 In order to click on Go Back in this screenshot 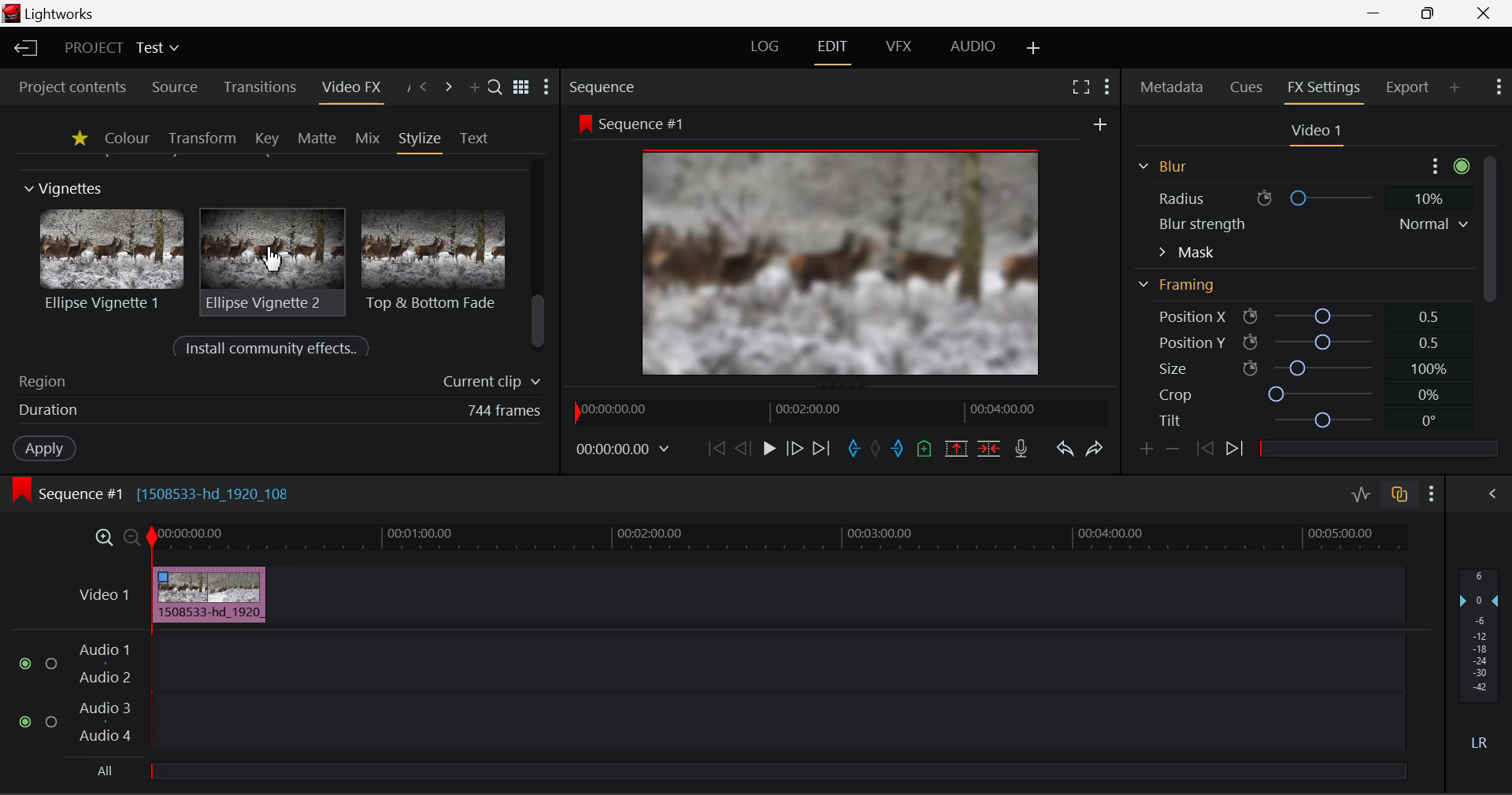, I will do `click(743, 449)`.